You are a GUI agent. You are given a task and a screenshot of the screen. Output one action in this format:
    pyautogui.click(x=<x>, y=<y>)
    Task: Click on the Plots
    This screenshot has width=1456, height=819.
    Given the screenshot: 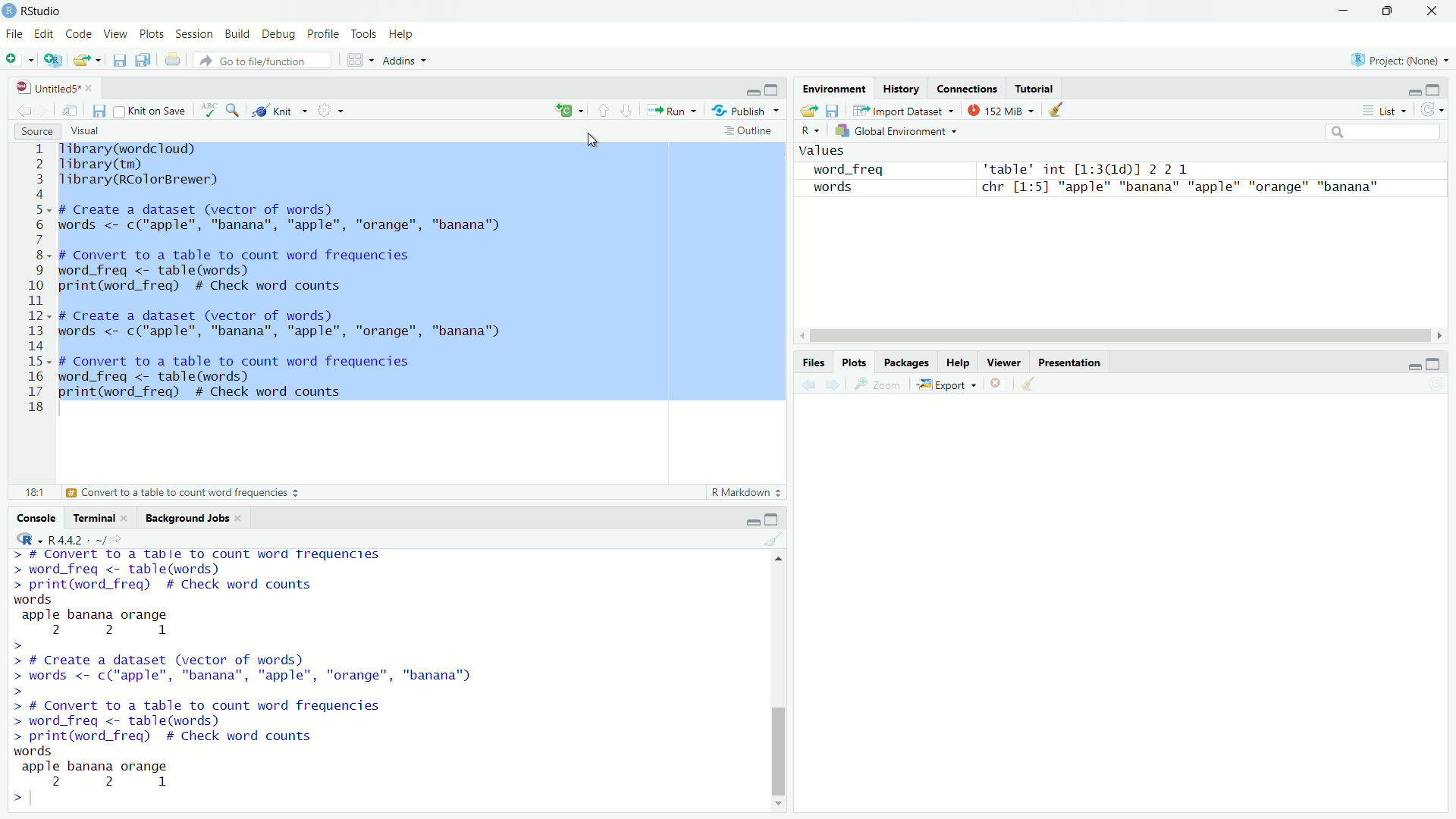 What is the action you would take?
    pyautogui.click(x=152, y=34)
    